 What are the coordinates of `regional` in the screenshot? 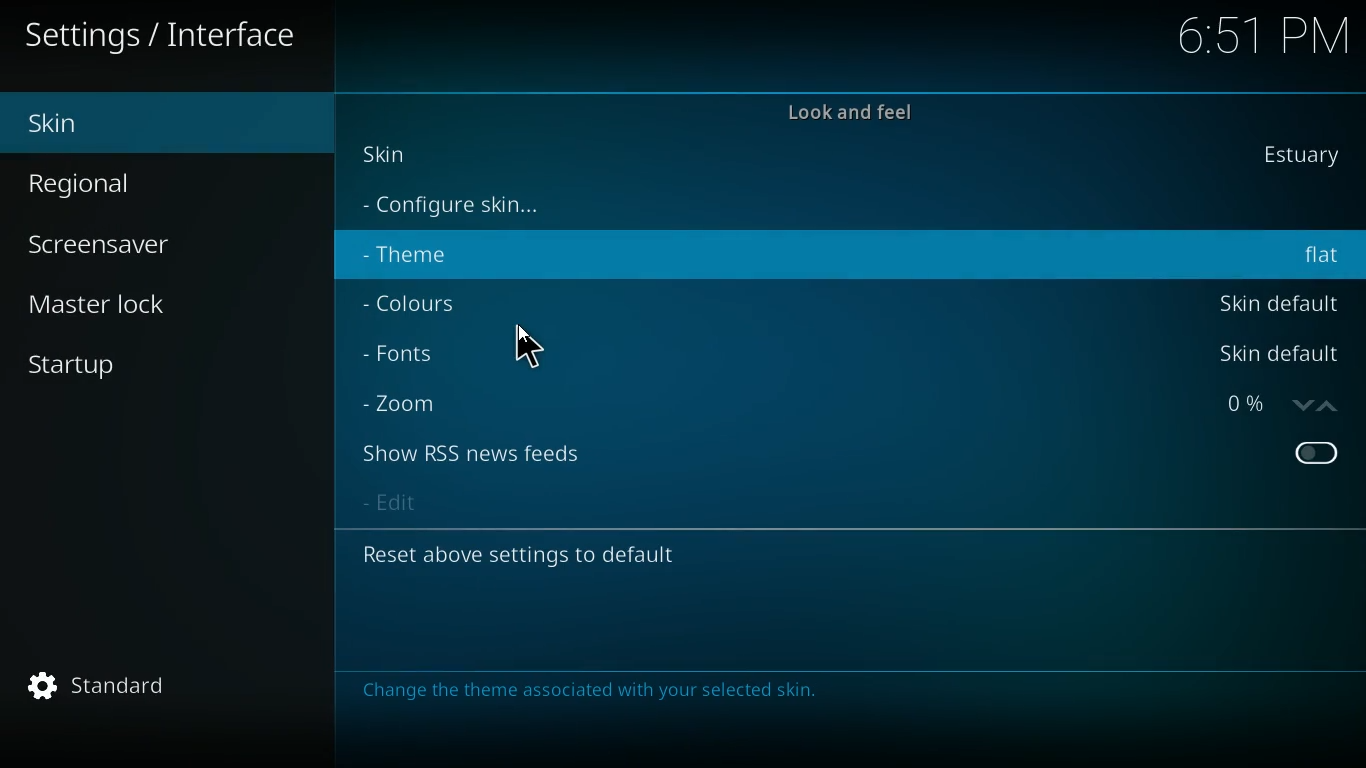 It's located at (143, 185).